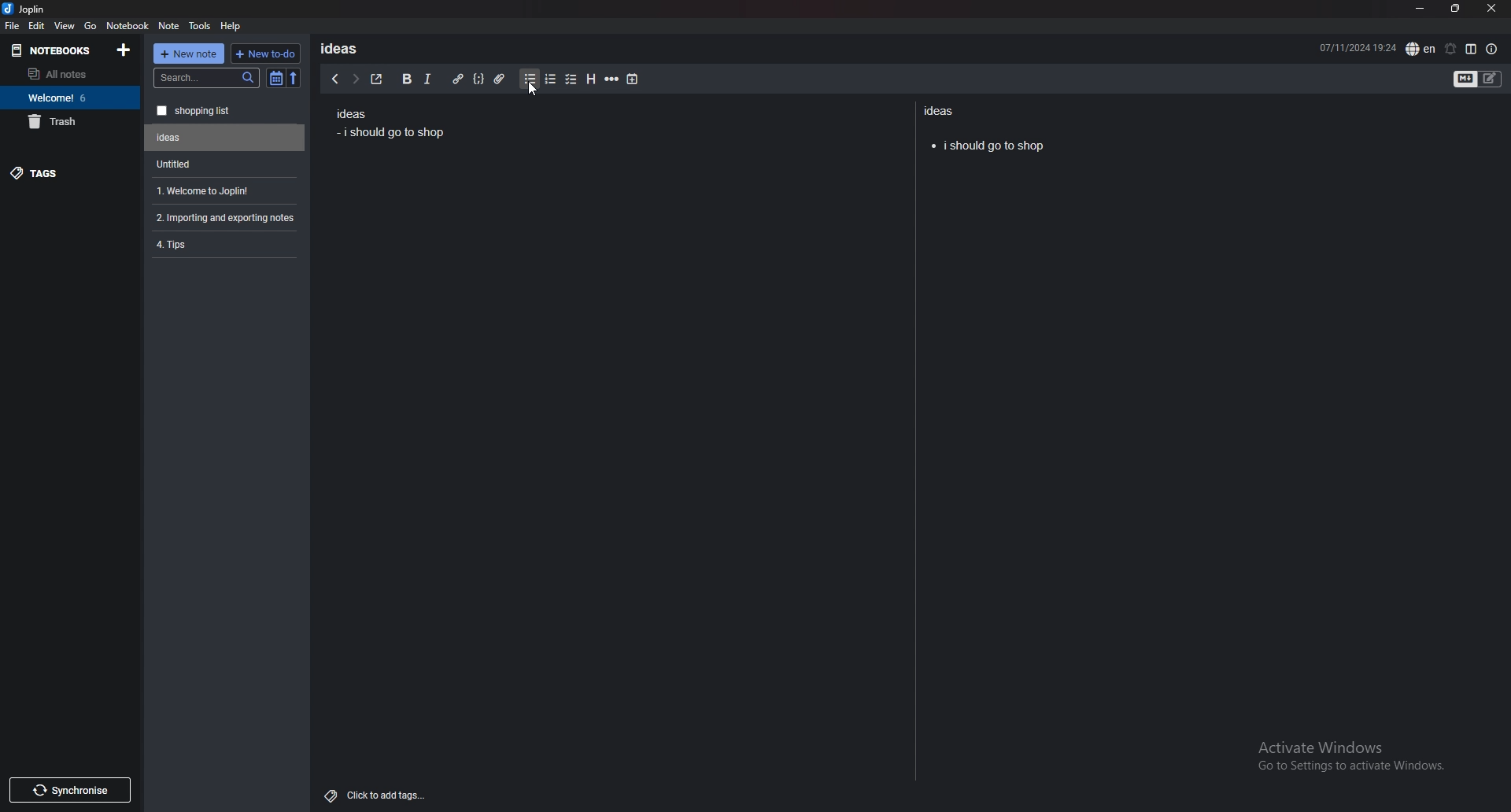  I want to click on new note, so click(189, 54).